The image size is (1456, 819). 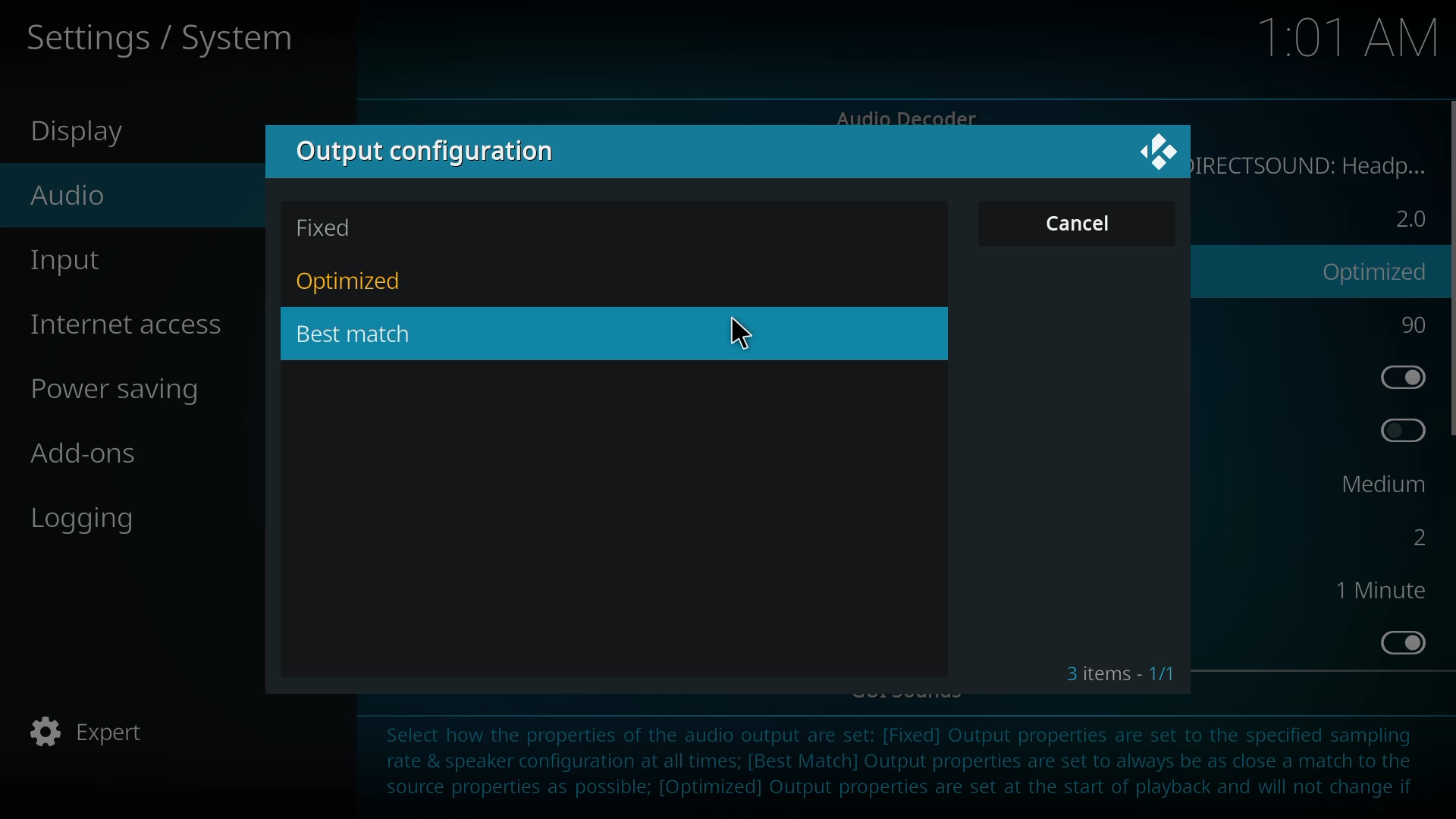 What do you see at coordinates (118, 392) in the screenshot?
I see `power saving` at bounding box center [118, 392].